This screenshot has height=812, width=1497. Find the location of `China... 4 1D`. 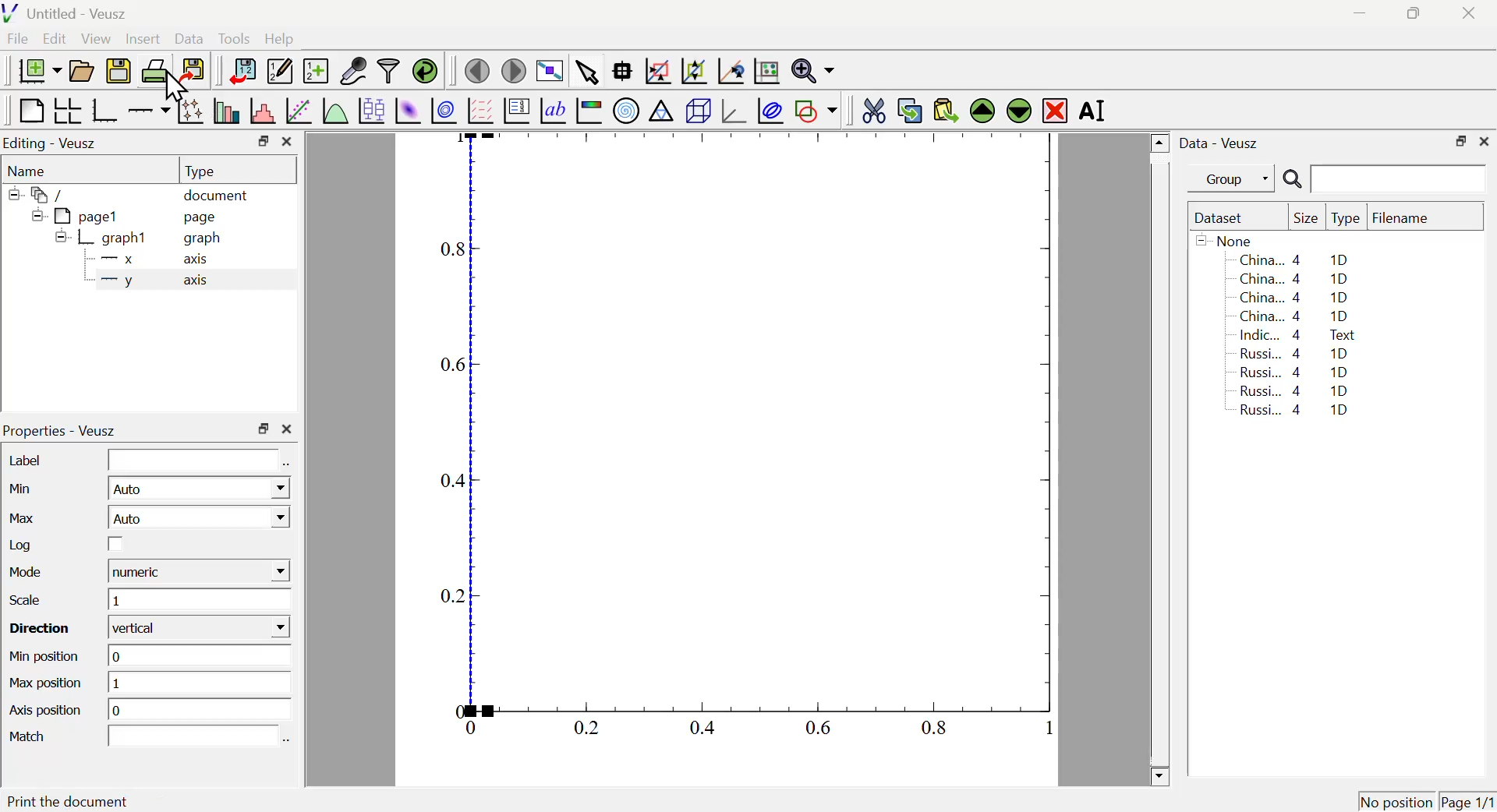

China... 4 1D is located at coordinates (1294, 316).